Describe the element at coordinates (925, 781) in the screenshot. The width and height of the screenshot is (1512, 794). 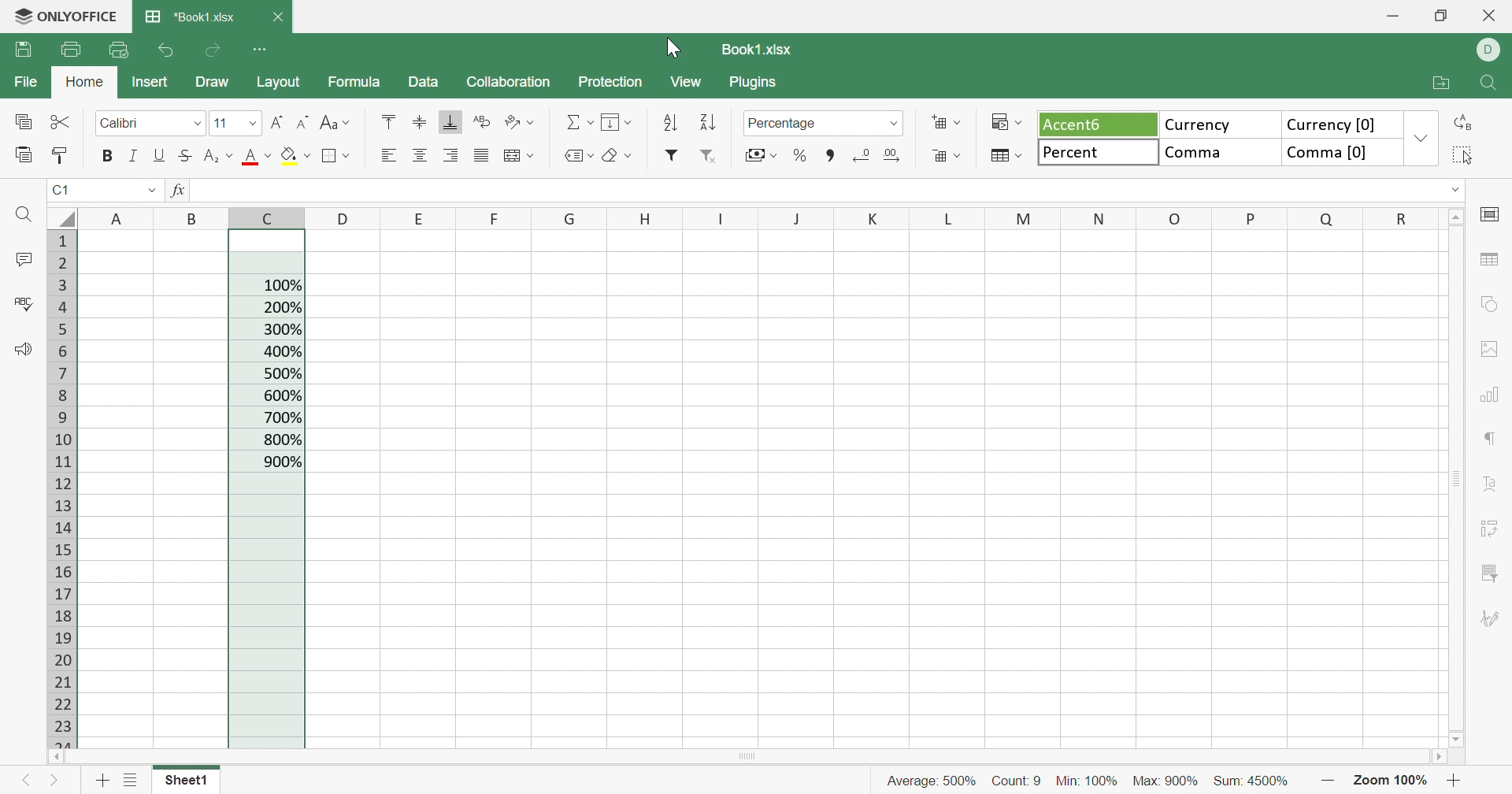
I see `Average: 500%` at that location.